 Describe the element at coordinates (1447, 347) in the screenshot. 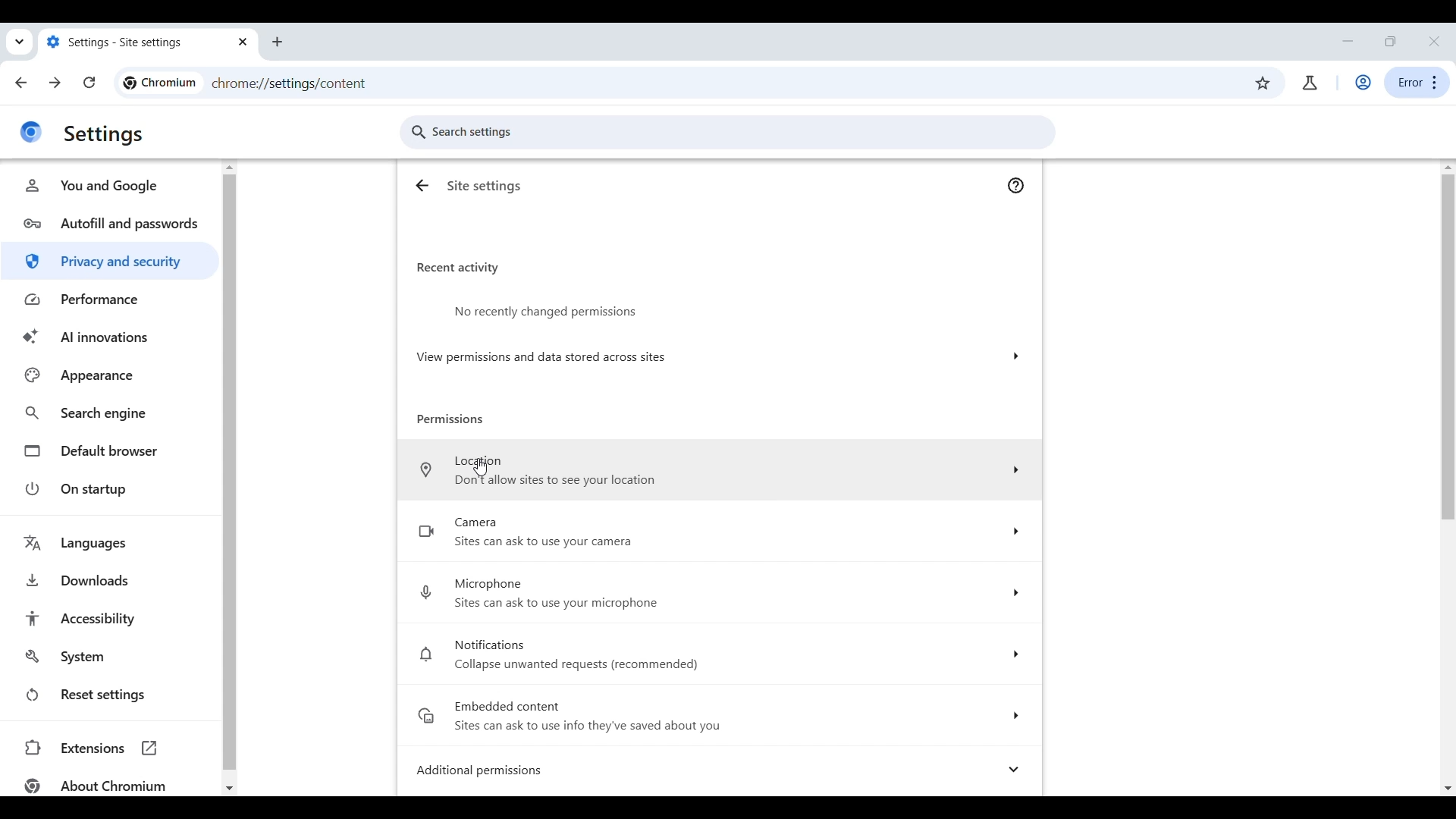

I see `Vertical slide bar` at that location.